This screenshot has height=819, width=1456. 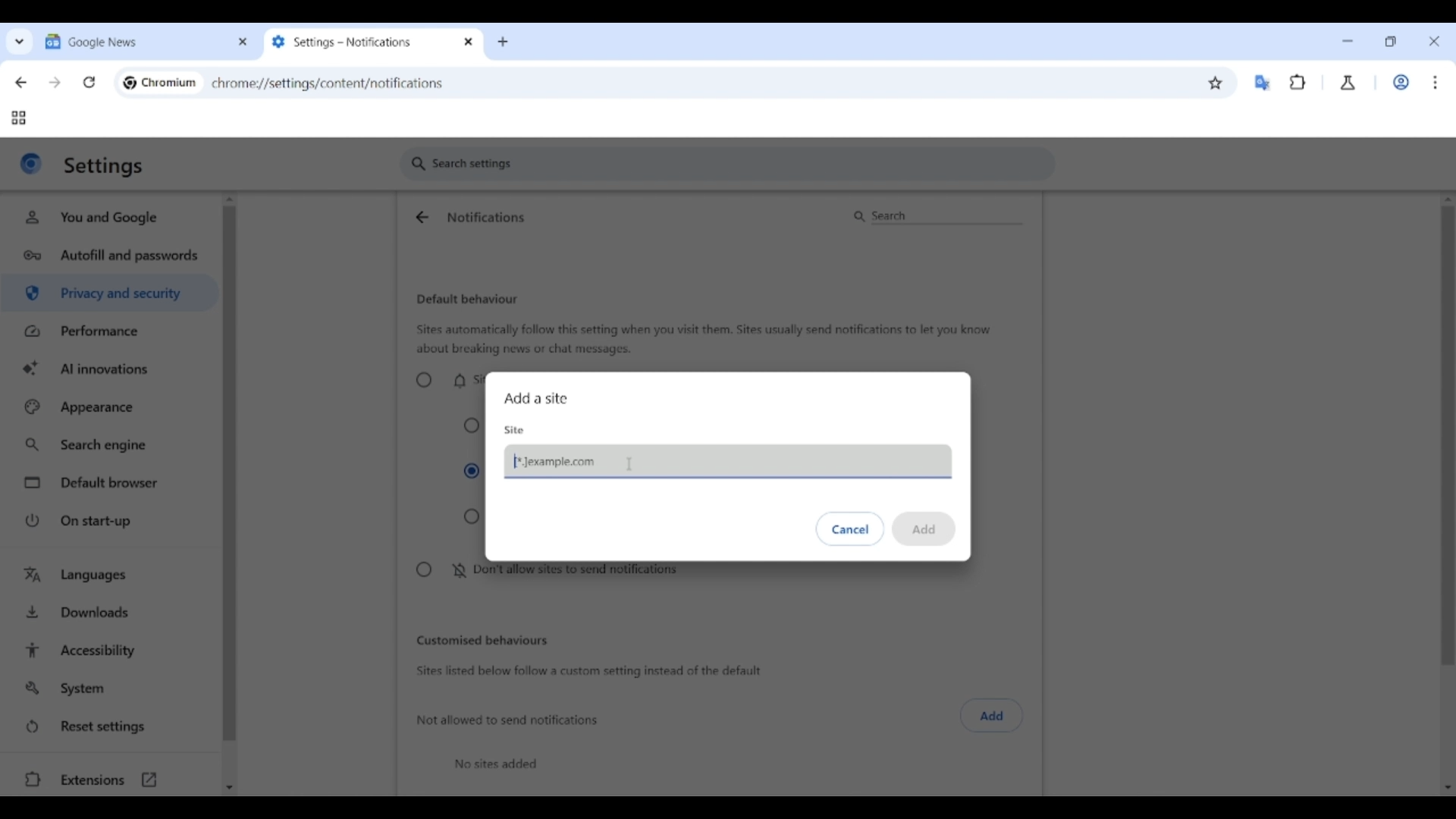 What do you see at coordinates (20, 41) in the screenshot?
I see `Search tabs` at bounding box center [20, 41].